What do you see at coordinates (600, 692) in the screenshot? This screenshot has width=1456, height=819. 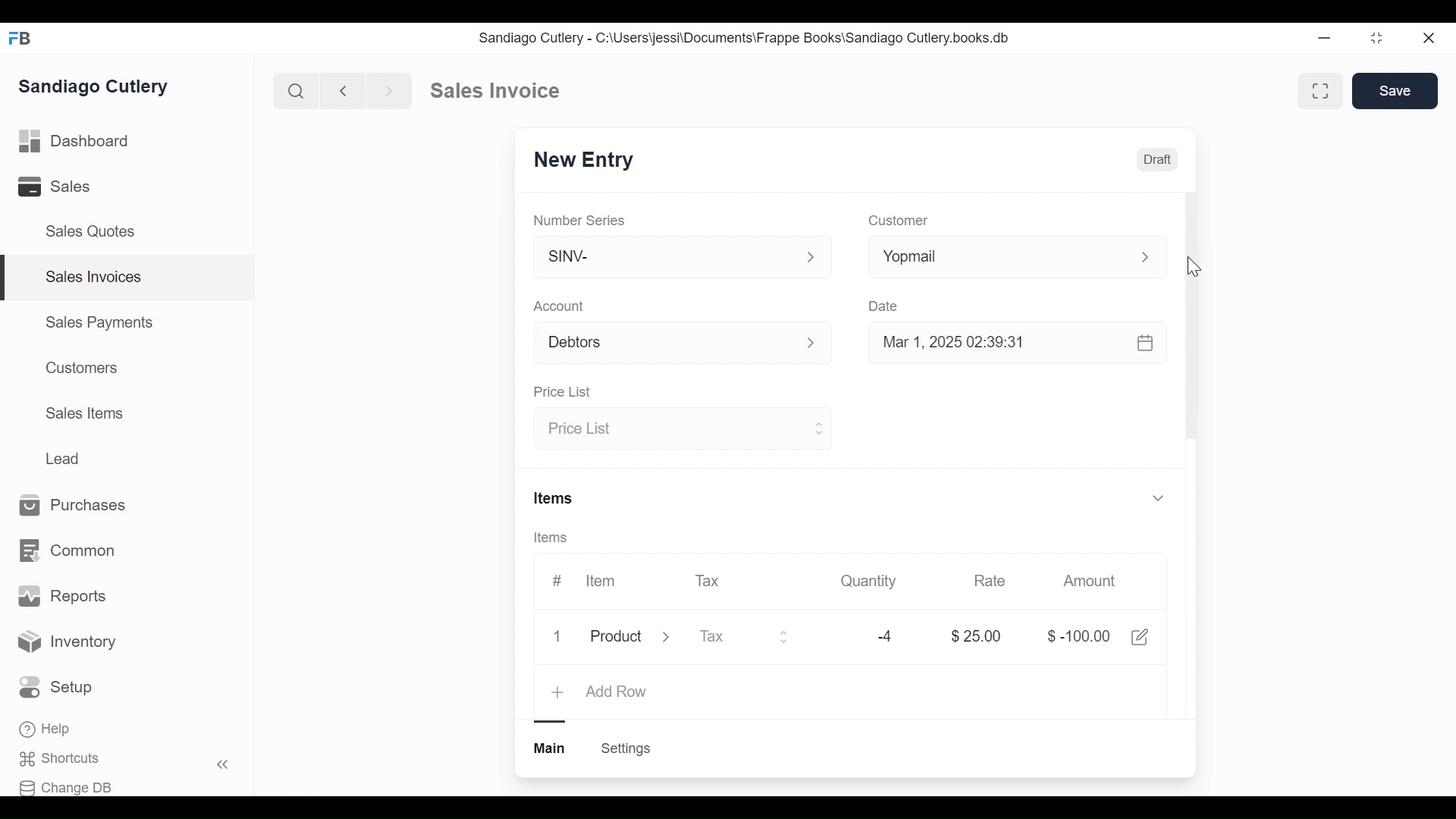 I see ` Add Row` at bounding box center [600, 692].